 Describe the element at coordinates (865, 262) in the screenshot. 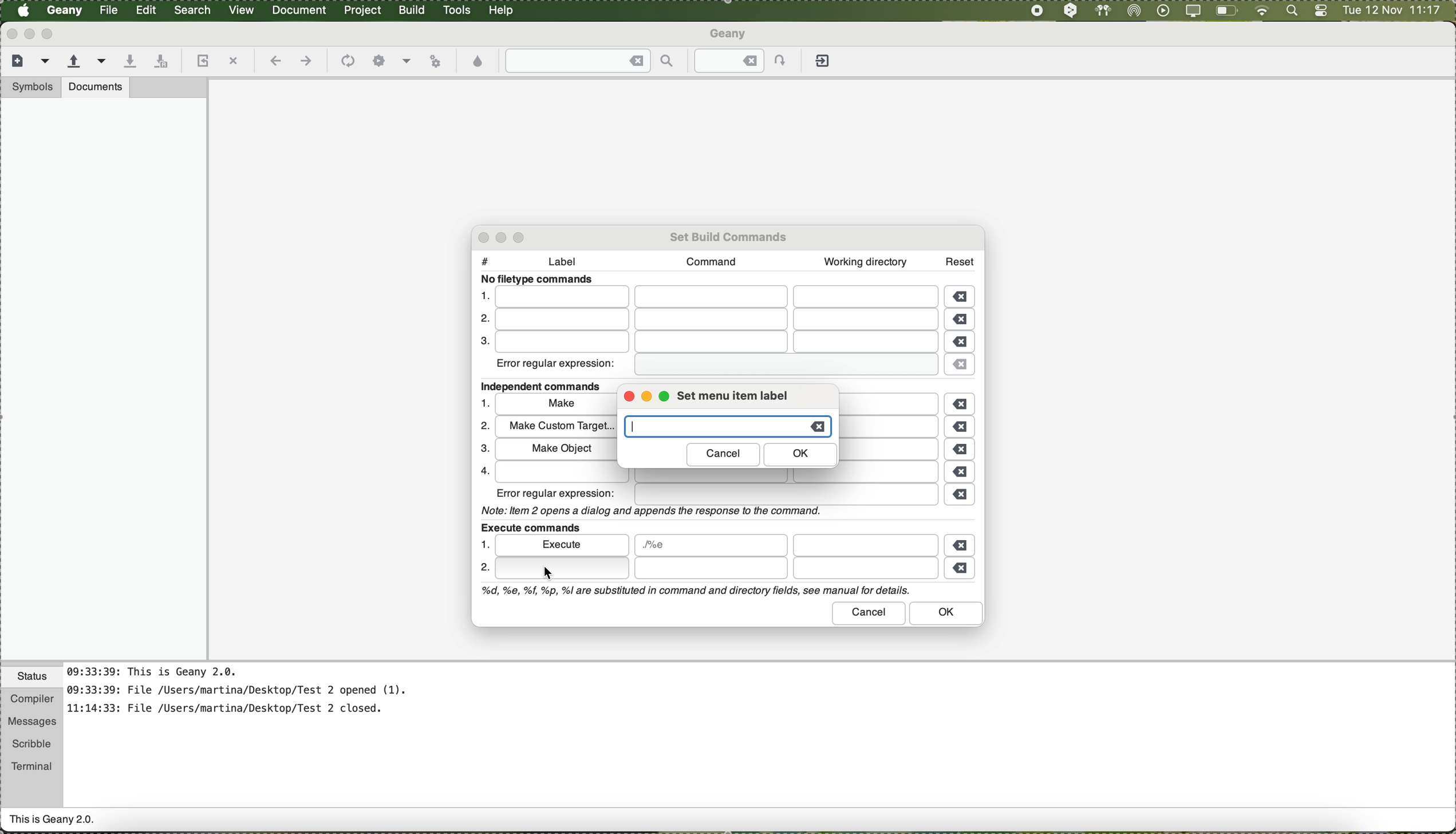

I see `working directory` at that location.